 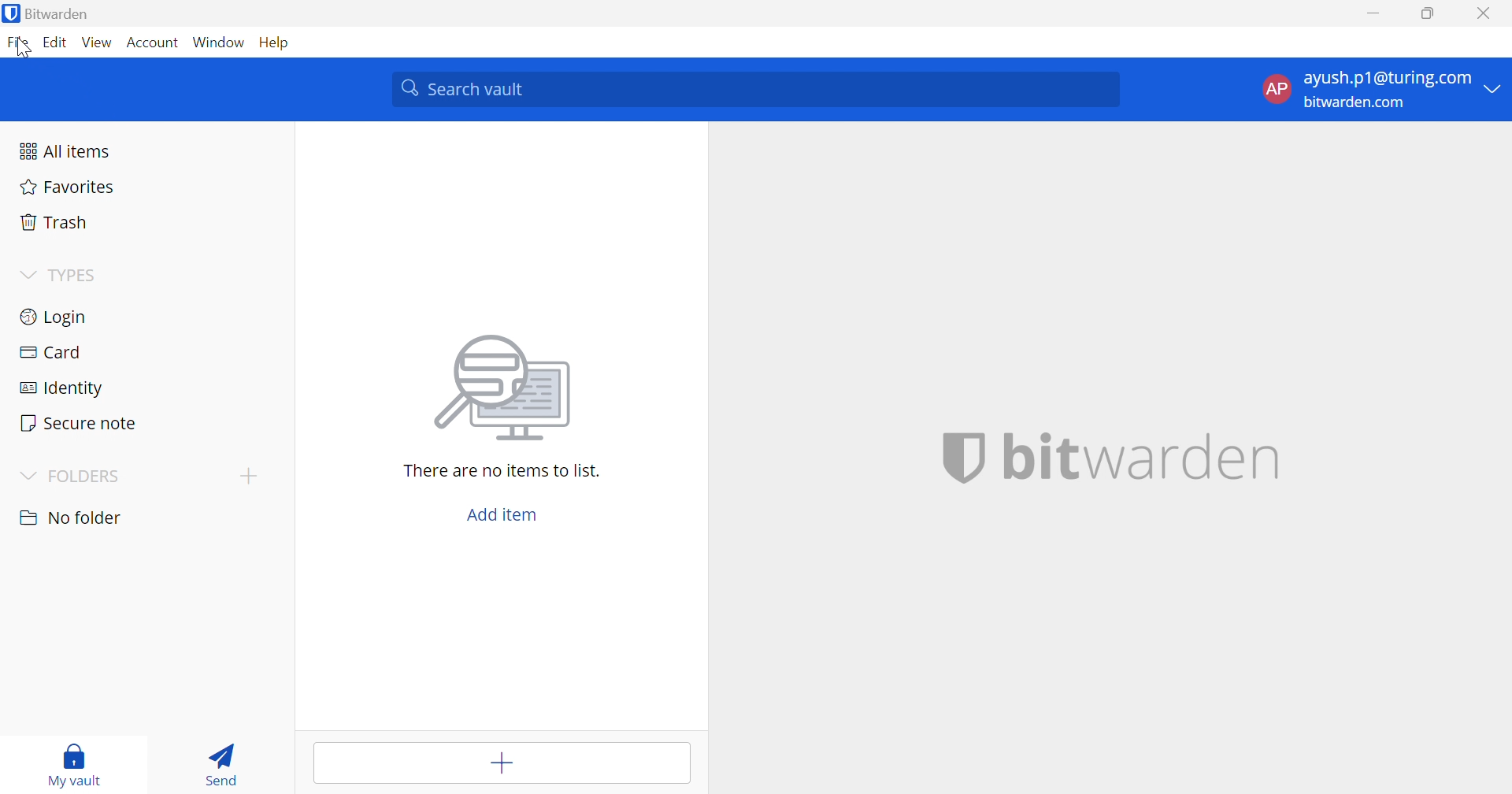 What do you see at coordinates (80, 423) in the screenshot?
I see `Secure note` at bounding box center [80, 423].